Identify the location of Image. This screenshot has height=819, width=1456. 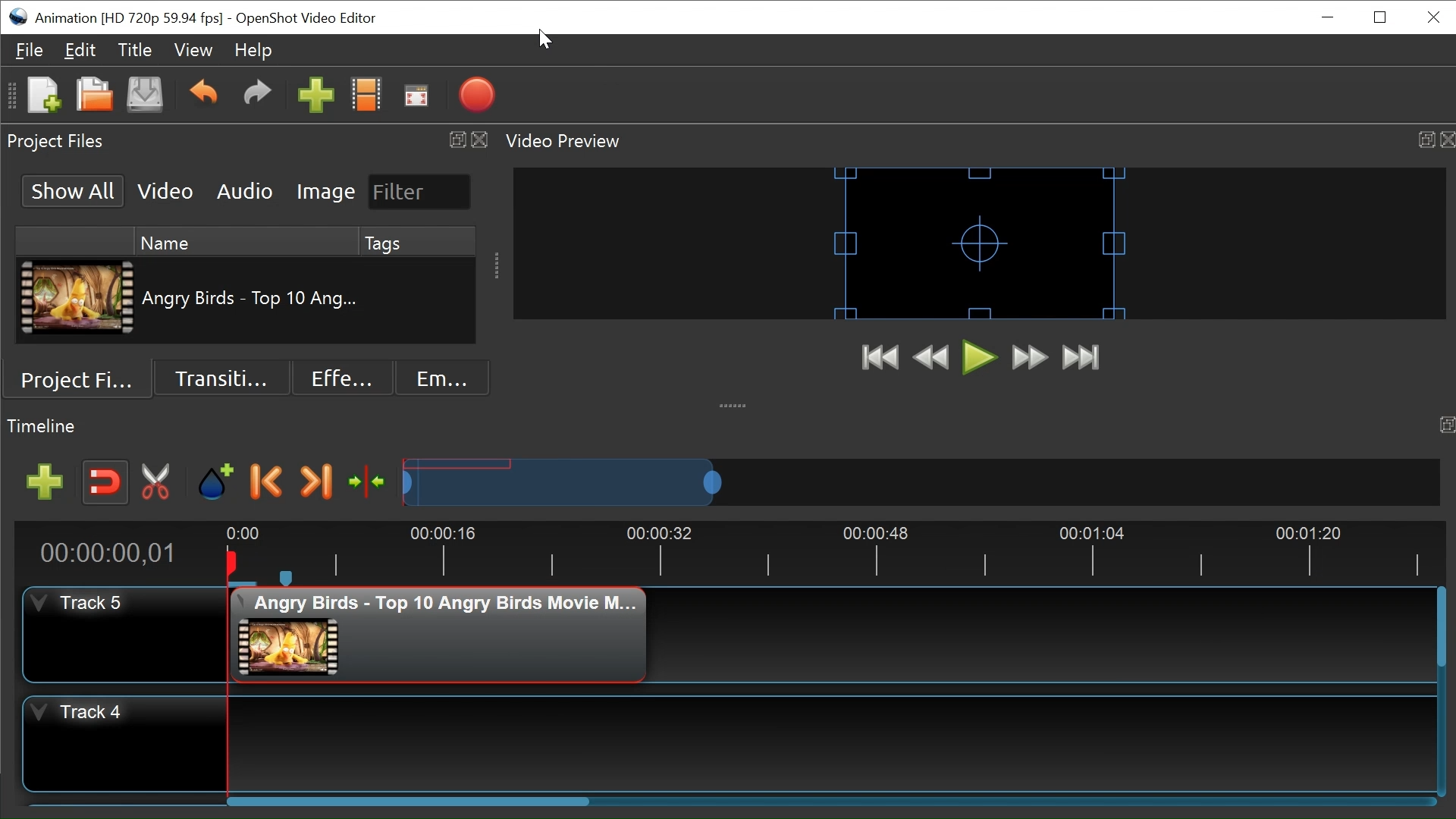
(325, 192).